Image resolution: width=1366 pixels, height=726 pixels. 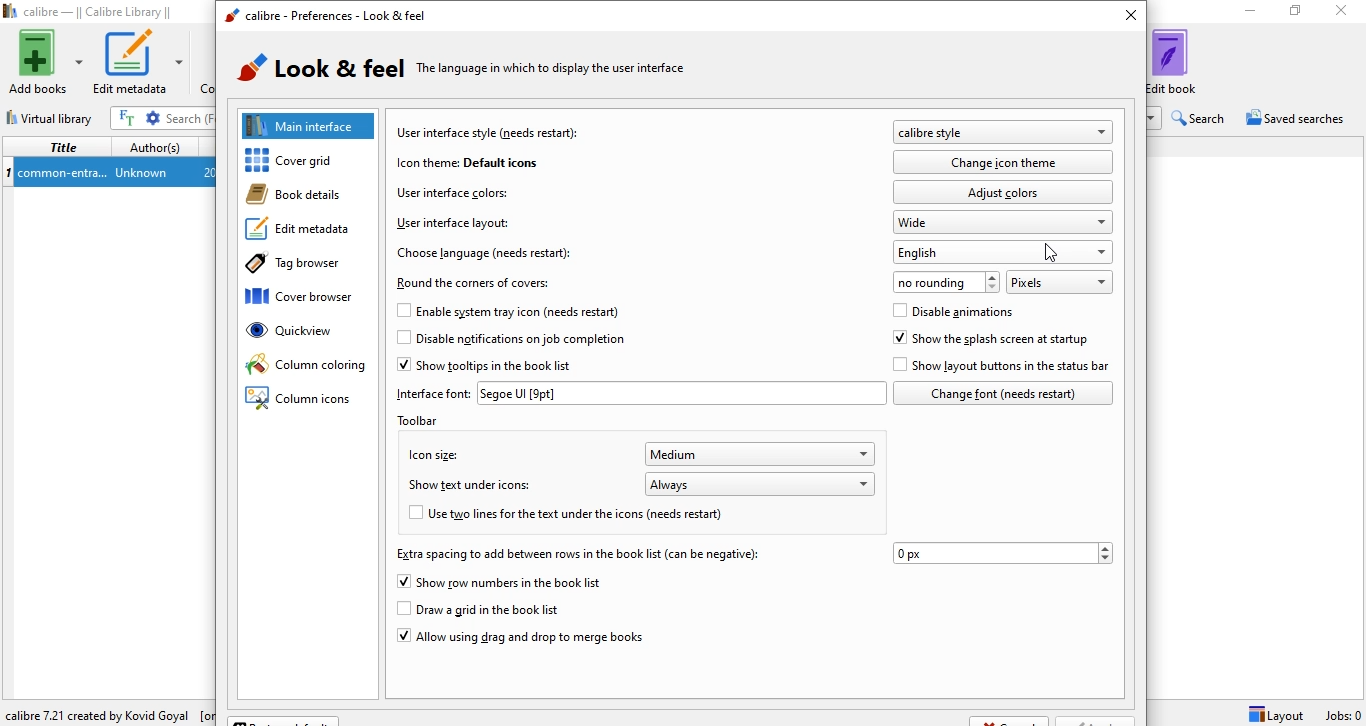 What do you see at coordinates (501, 583) in the screenshot?
I see `show row number in the book list` at bounding box center [501, 583].